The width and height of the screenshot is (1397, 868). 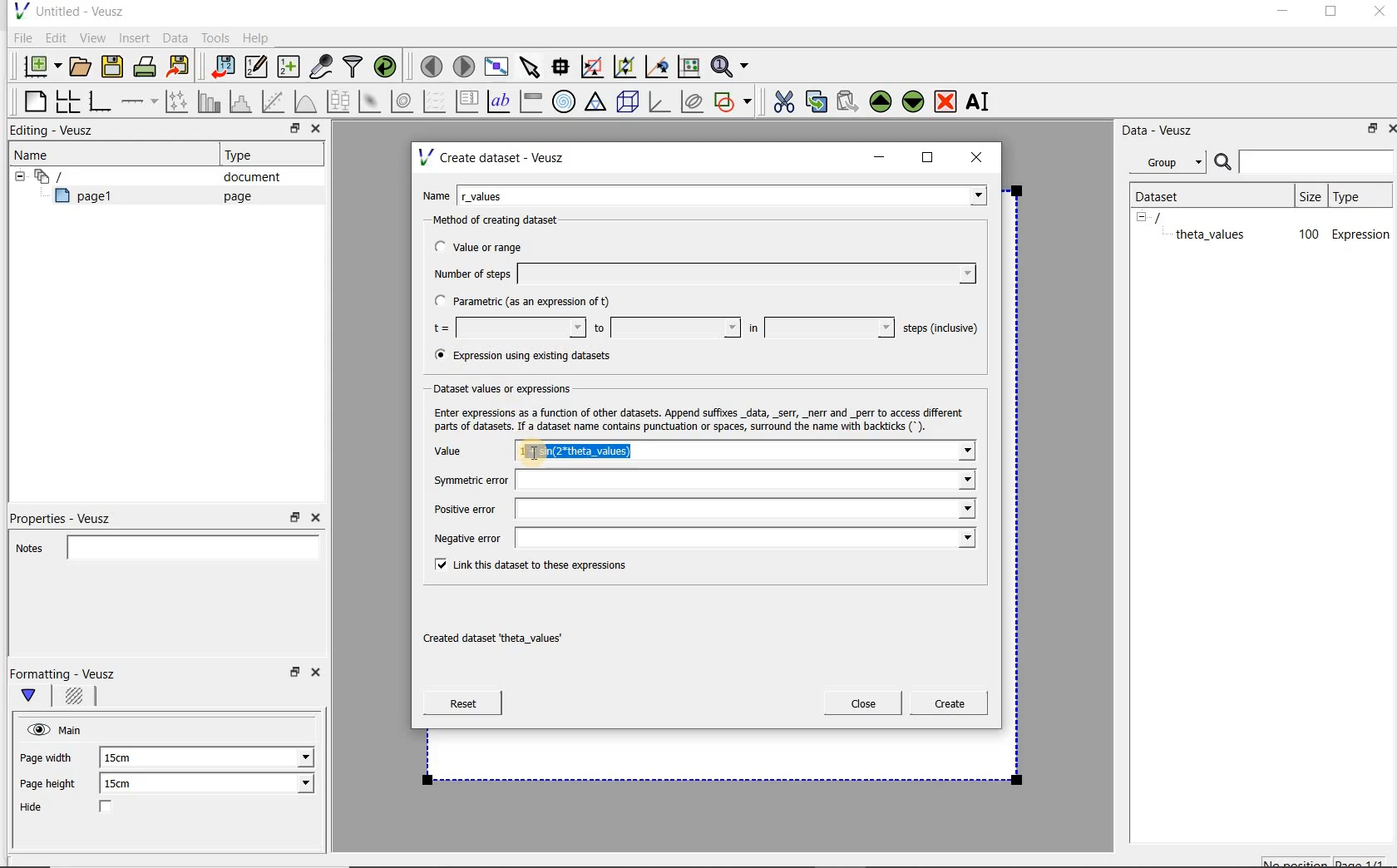 What do you see at coordinates (436, 194) in the screenshot?
I see `Name` at bounding box center [436, 194].